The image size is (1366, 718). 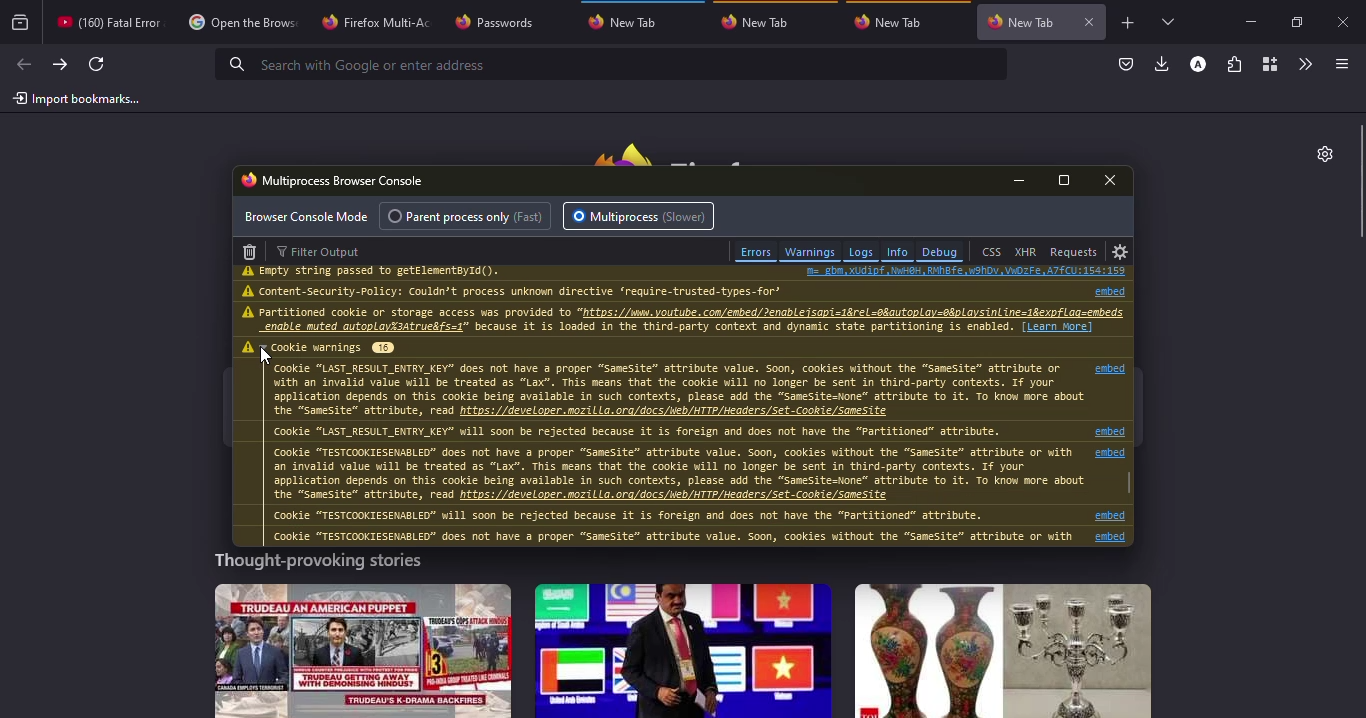 What do you see at coordinates (106, 21) in the screenshot?
I see `tab` at bounding box center [106, 21].